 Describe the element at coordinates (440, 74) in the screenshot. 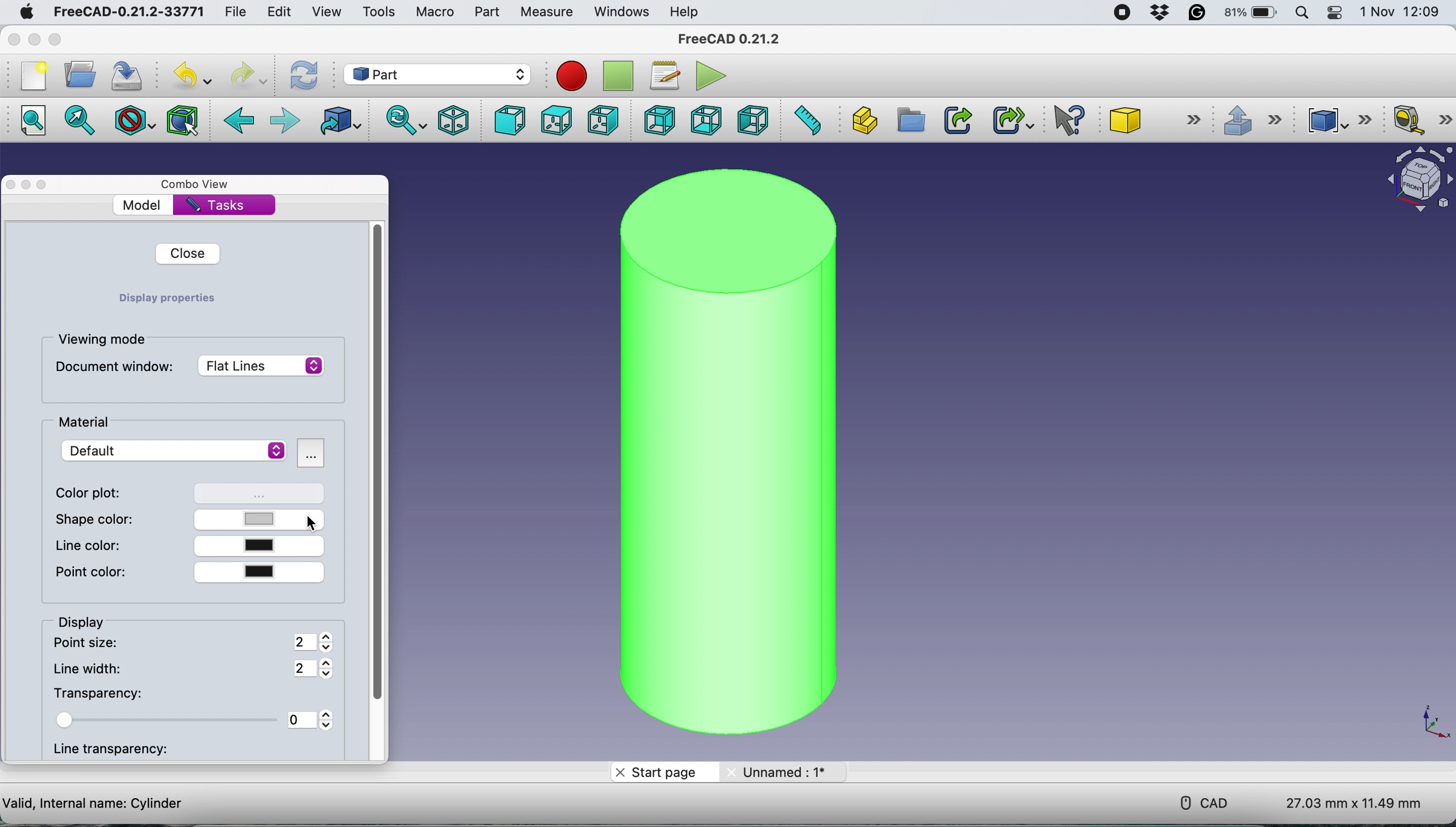

I see `workbench` at that location.